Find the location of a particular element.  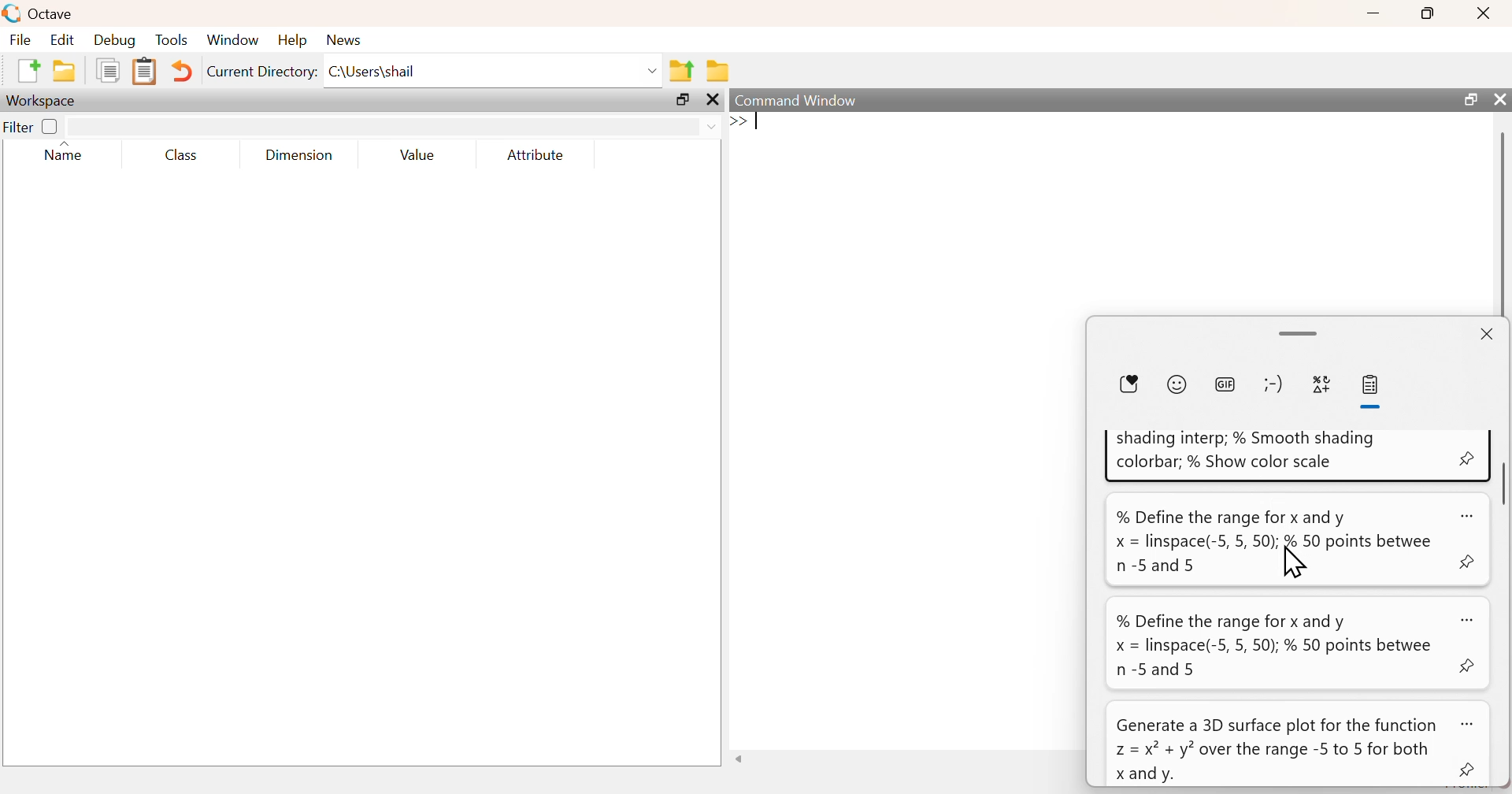

close is located at coordinates (1486, 13).